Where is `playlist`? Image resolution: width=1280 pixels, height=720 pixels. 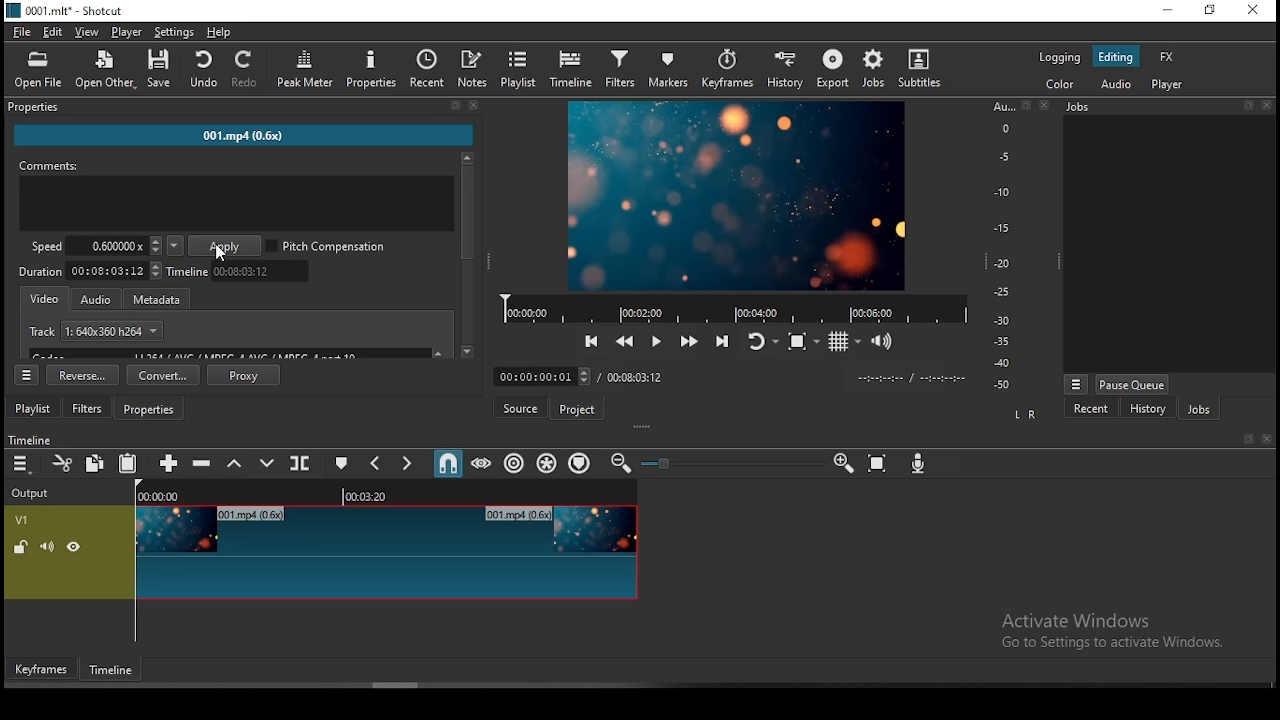
playlist is located at coordinates (34, 407).